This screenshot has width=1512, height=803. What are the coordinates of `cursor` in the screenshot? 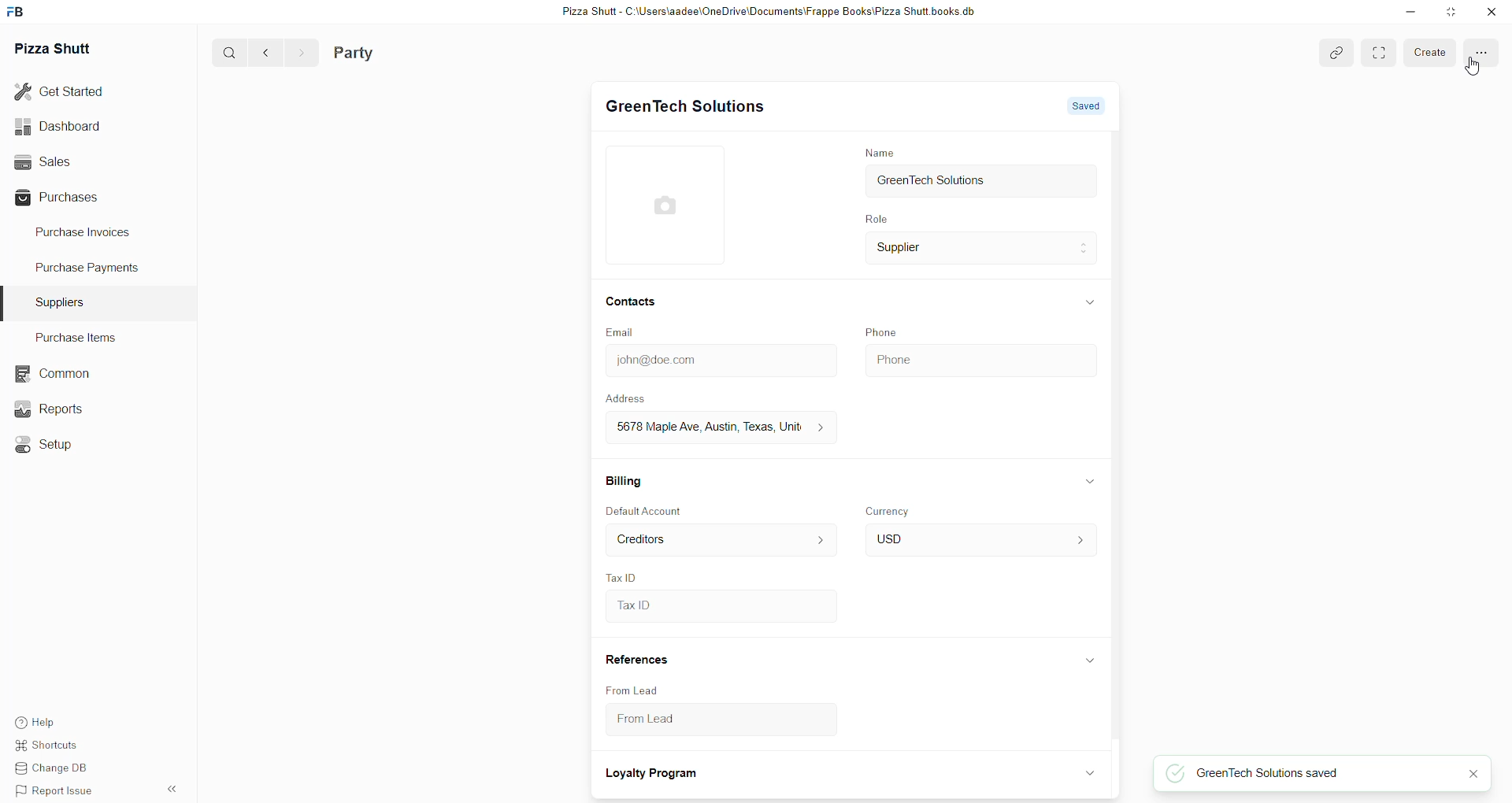 It's located at (1473, 68).